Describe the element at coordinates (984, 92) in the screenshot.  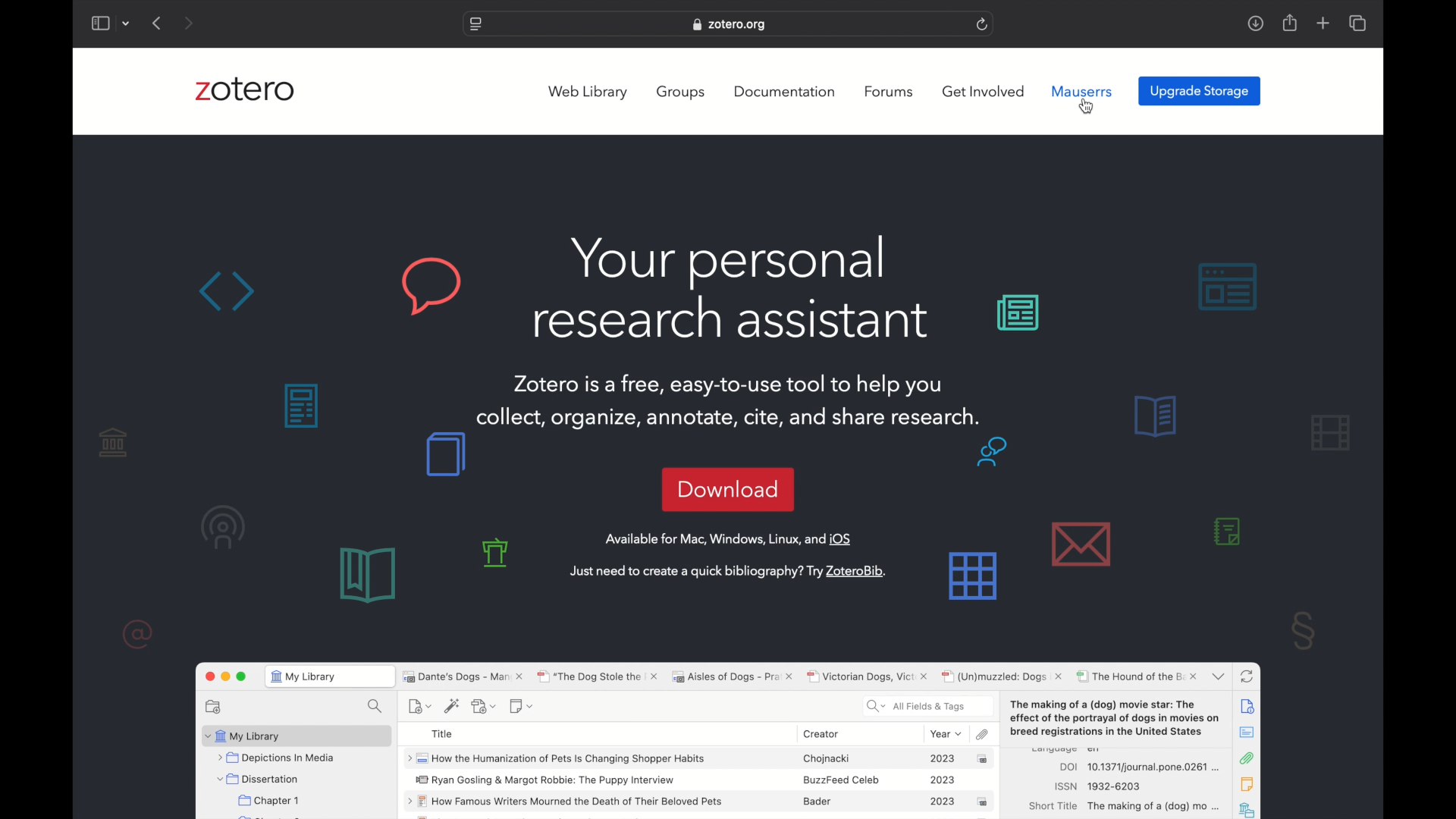
I see `get involved` at that location.